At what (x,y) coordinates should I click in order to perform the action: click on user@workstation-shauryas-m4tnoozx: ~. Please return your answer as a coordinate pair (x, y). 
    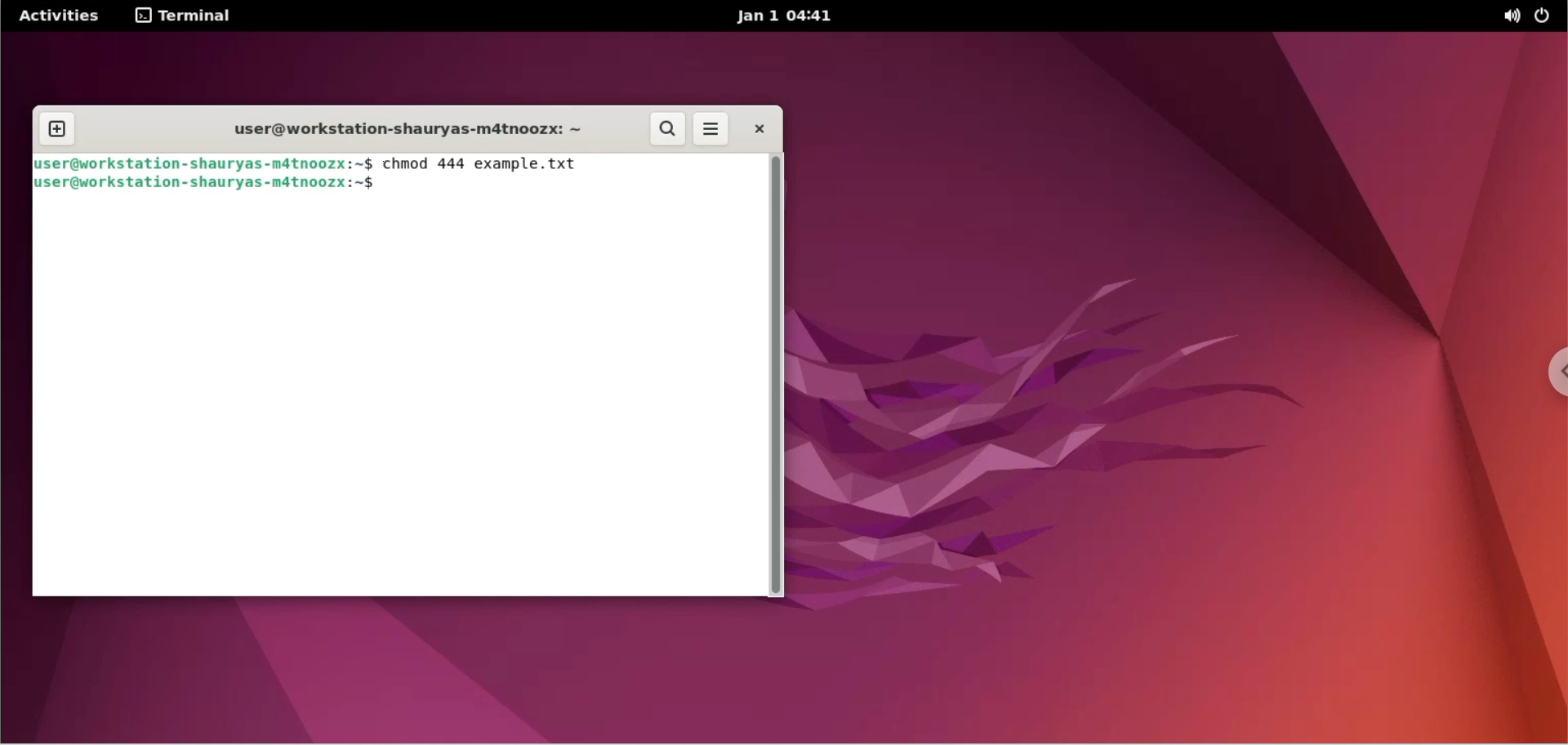
    Looking at the image, I should click on (403, 132).